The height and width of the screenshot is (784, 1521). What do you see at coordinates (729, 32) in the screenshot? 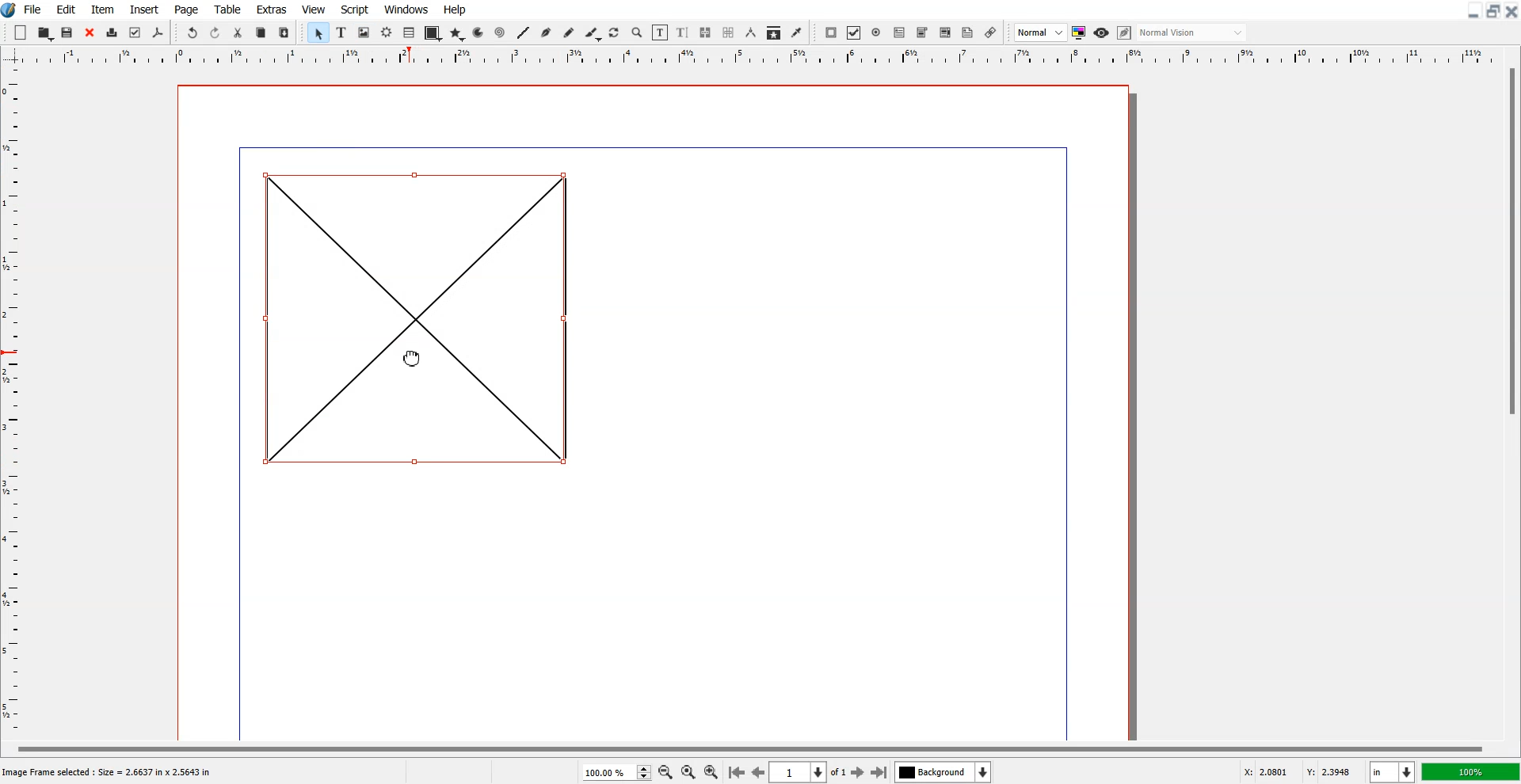
I see `Unlink Text frame` at bounding box center [729, 32].